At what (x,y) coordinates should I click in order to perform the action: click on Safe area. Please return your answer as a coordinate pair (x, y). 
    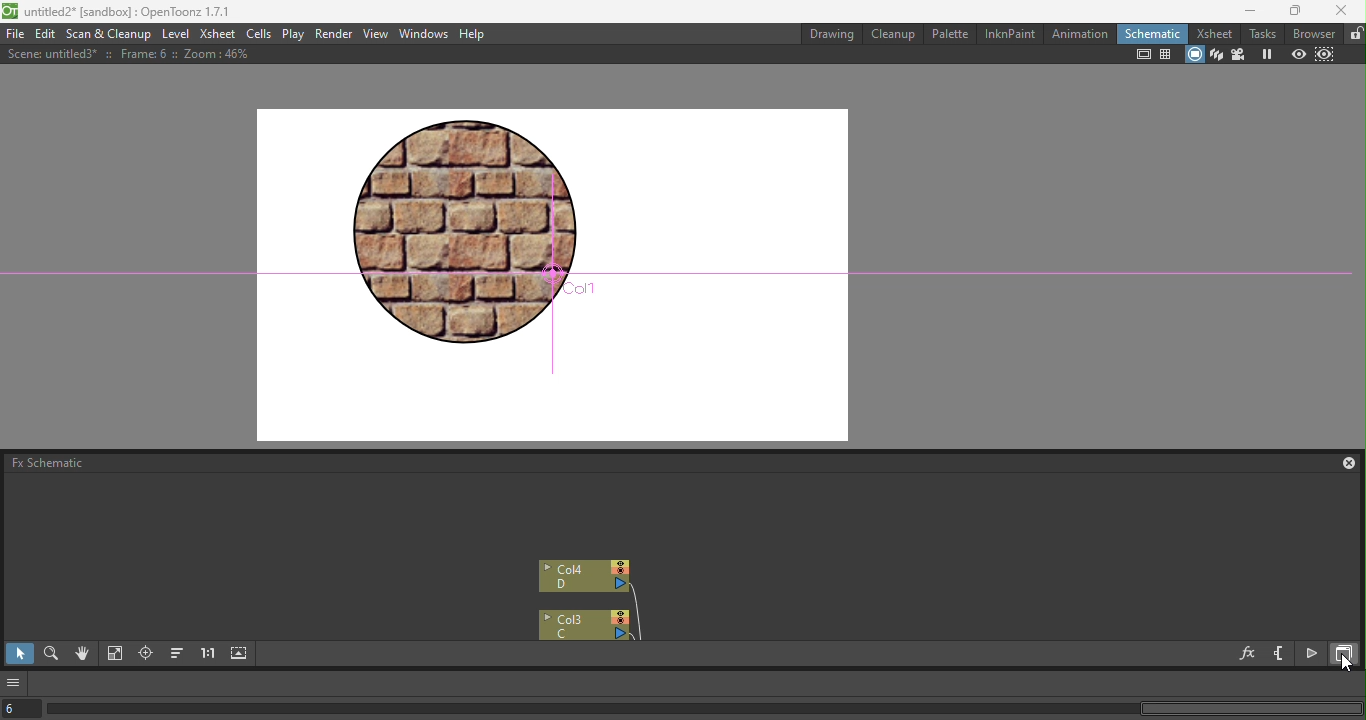
    Looking at the image, I should click on (1142, 55).